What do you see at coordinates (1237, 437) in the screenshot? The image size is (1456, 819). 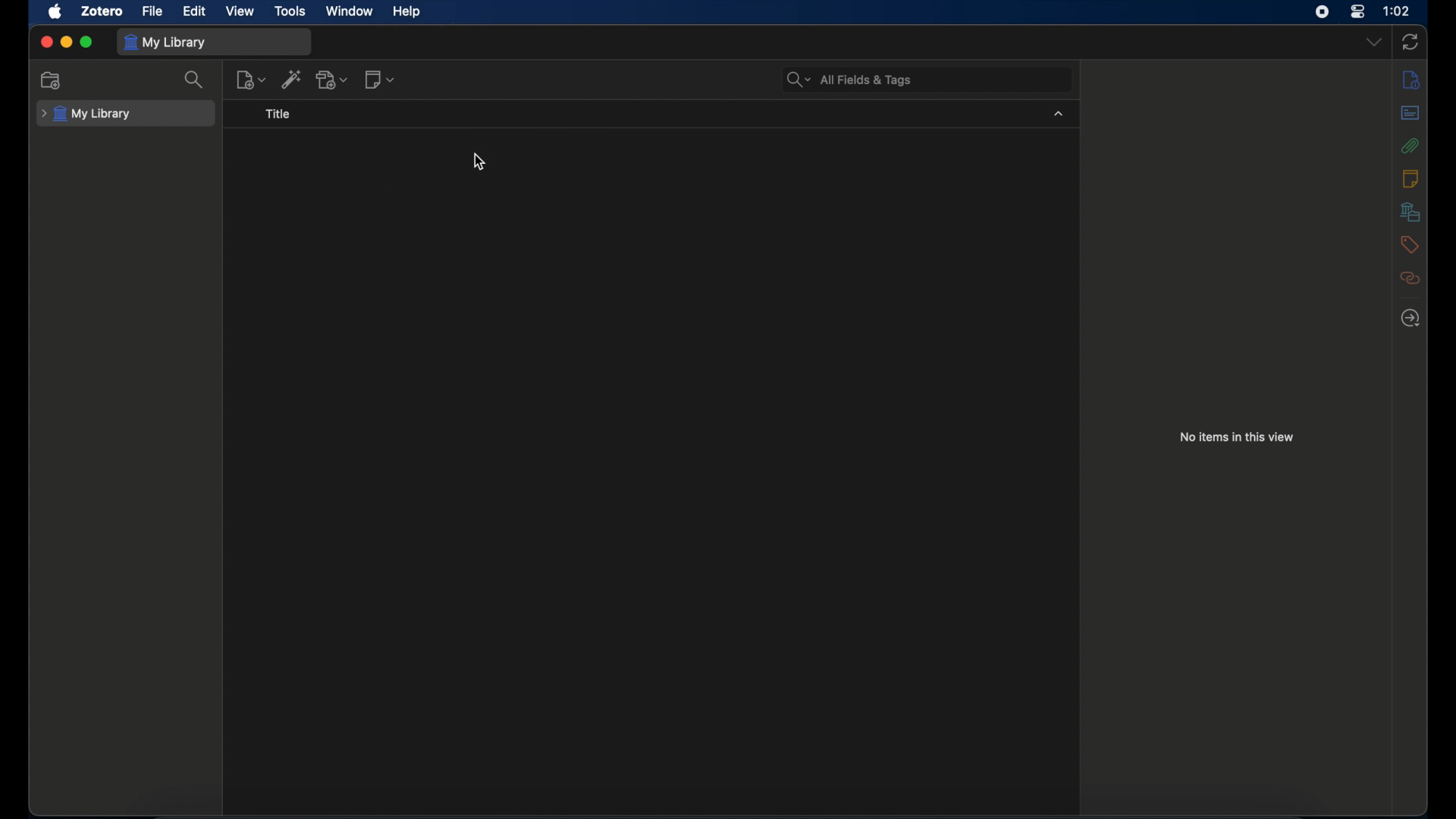 I see `no items in this view` at bounding box center [1237, 437].